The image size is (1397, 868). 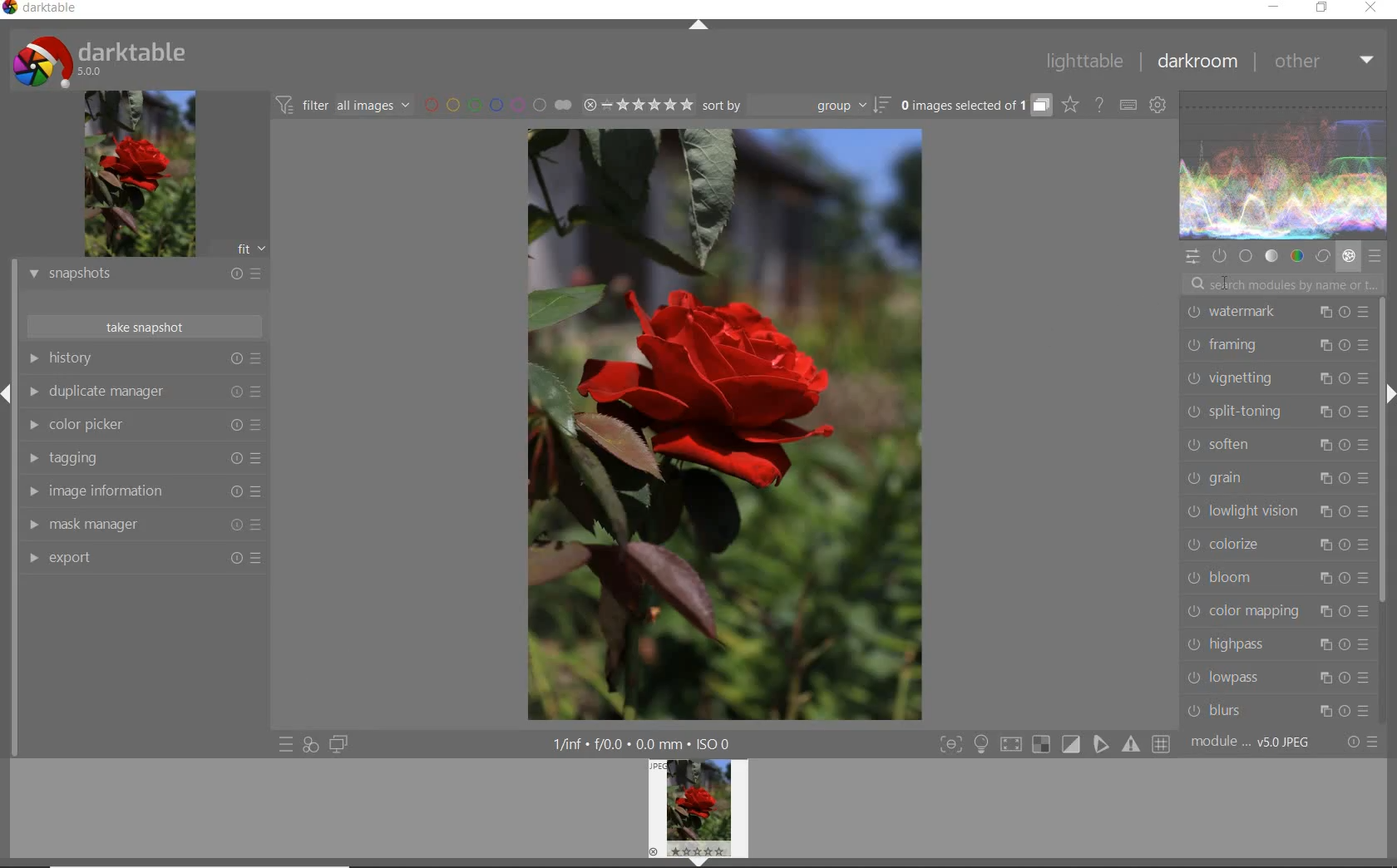 I want to click on search modules by name, so click(x=1287, y=283).